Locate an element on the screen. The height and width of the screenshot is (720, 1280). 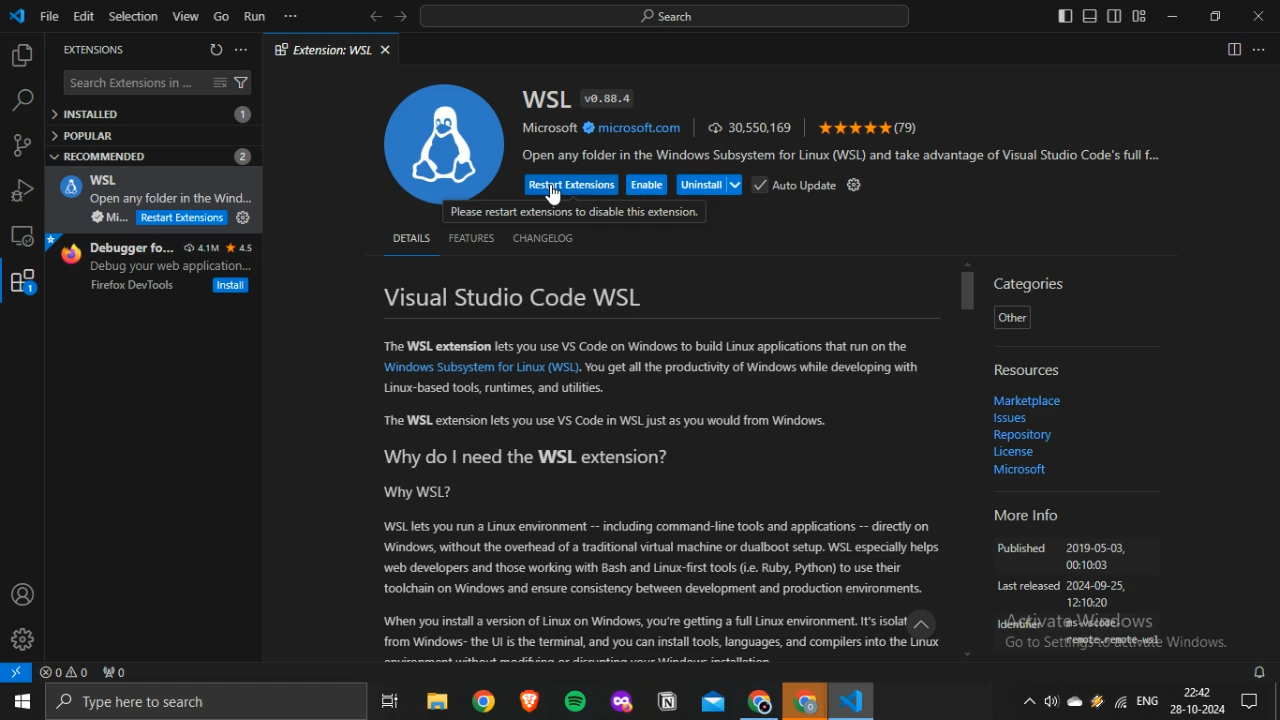
More actions... is located at coordinates (1259, 49).